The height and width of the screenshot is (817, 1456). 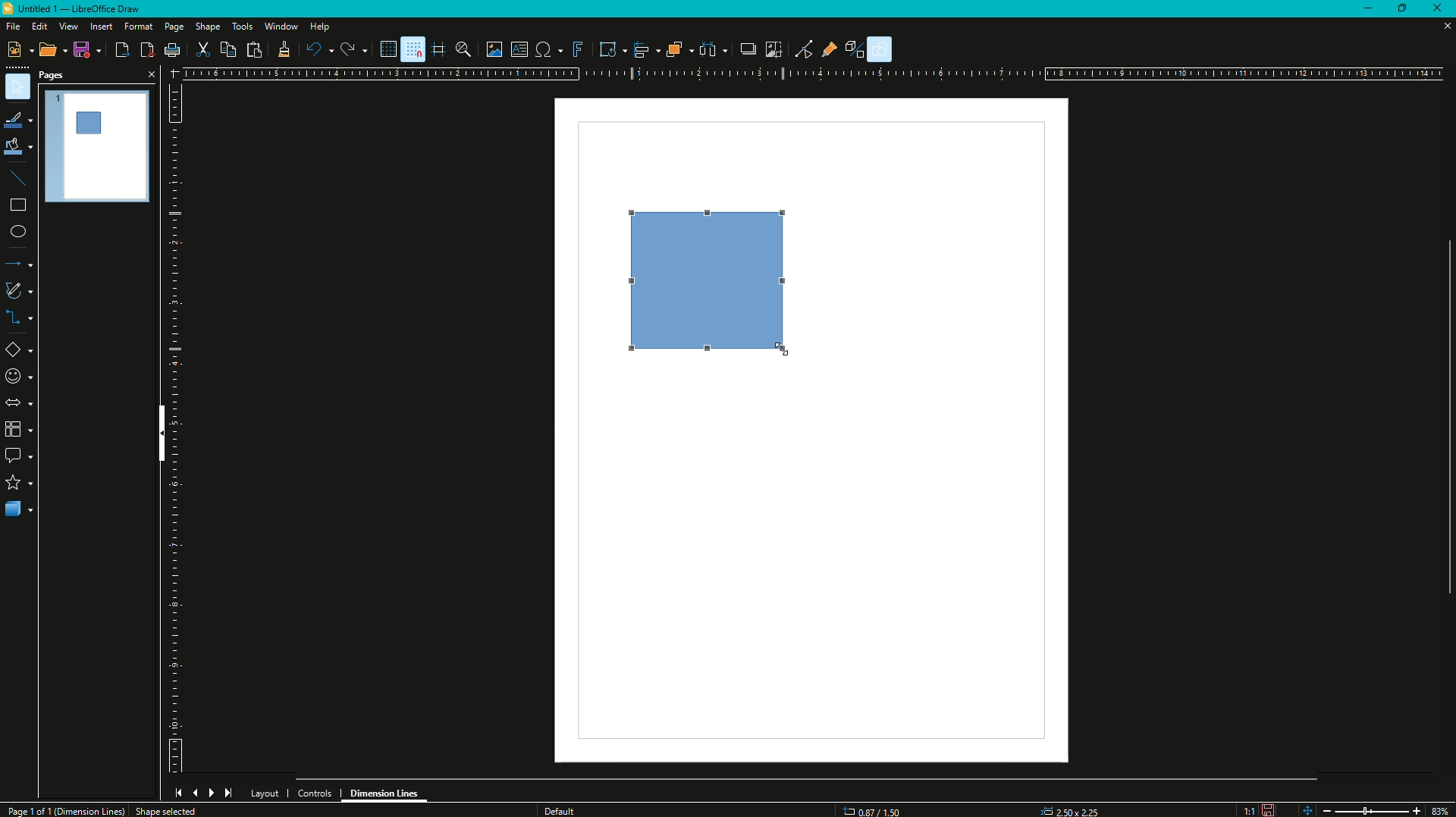 What do you see at coordinates (466, 49) in the screenshot?
I see `Zoom and Pan` at bounding box center [466, 49].